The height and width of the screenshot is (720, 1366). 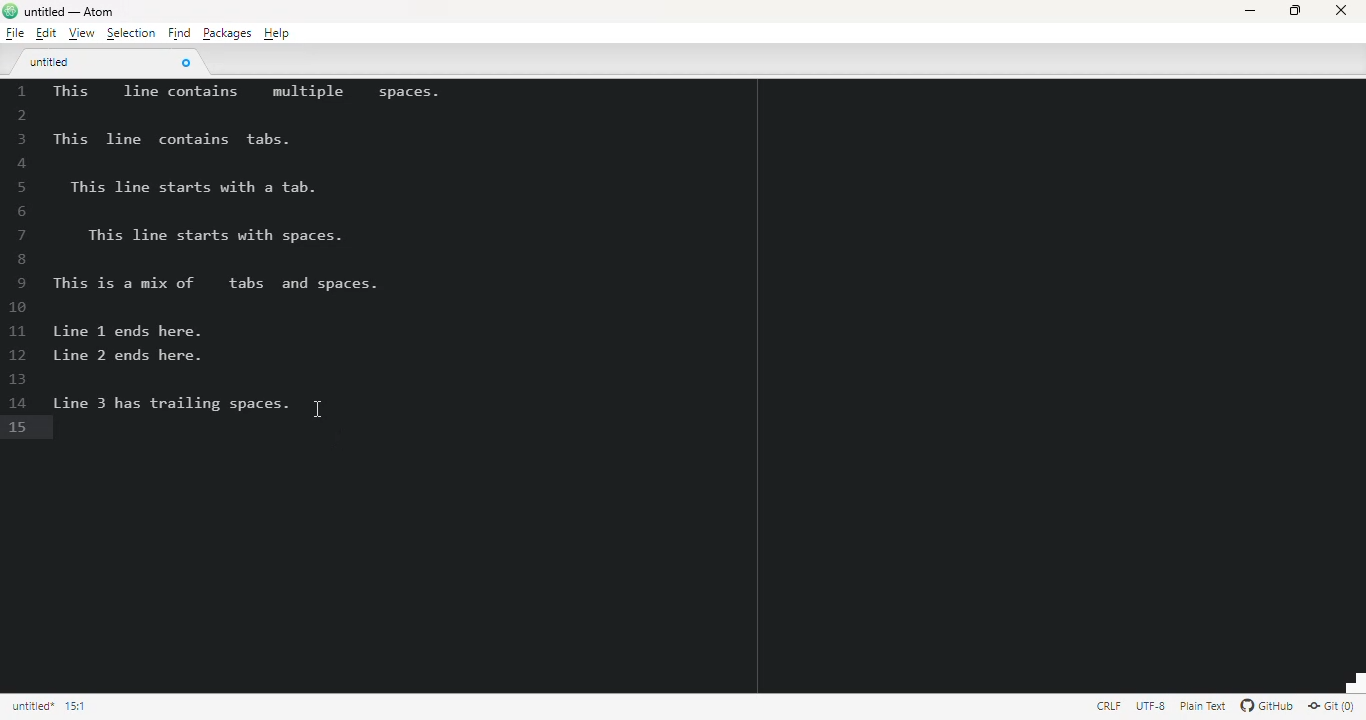 I want to click on title, so click(x=69, y=12).